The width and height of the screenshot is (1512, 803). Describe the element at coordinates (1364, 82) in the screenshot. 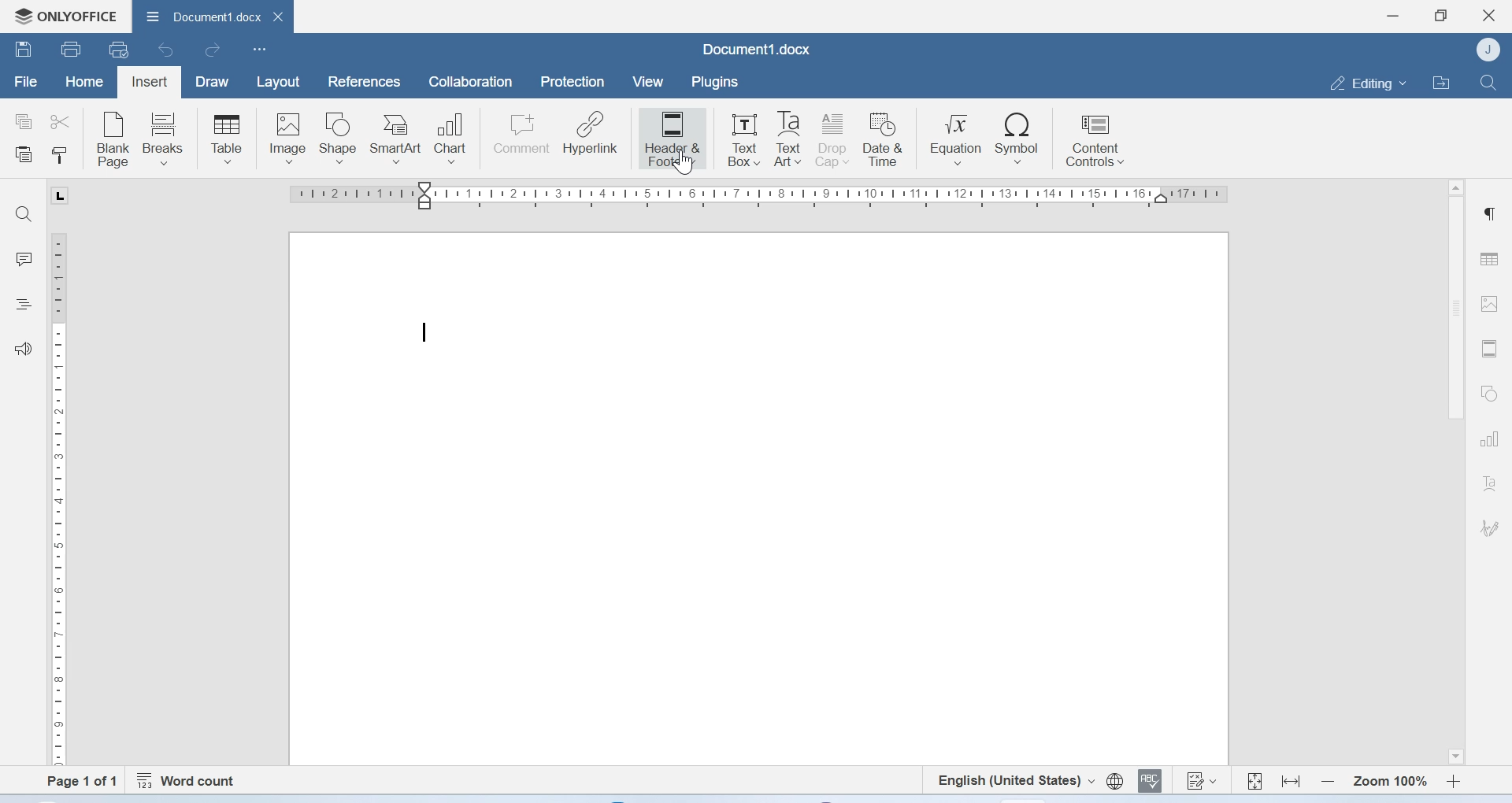

I see `Editing` at that location.